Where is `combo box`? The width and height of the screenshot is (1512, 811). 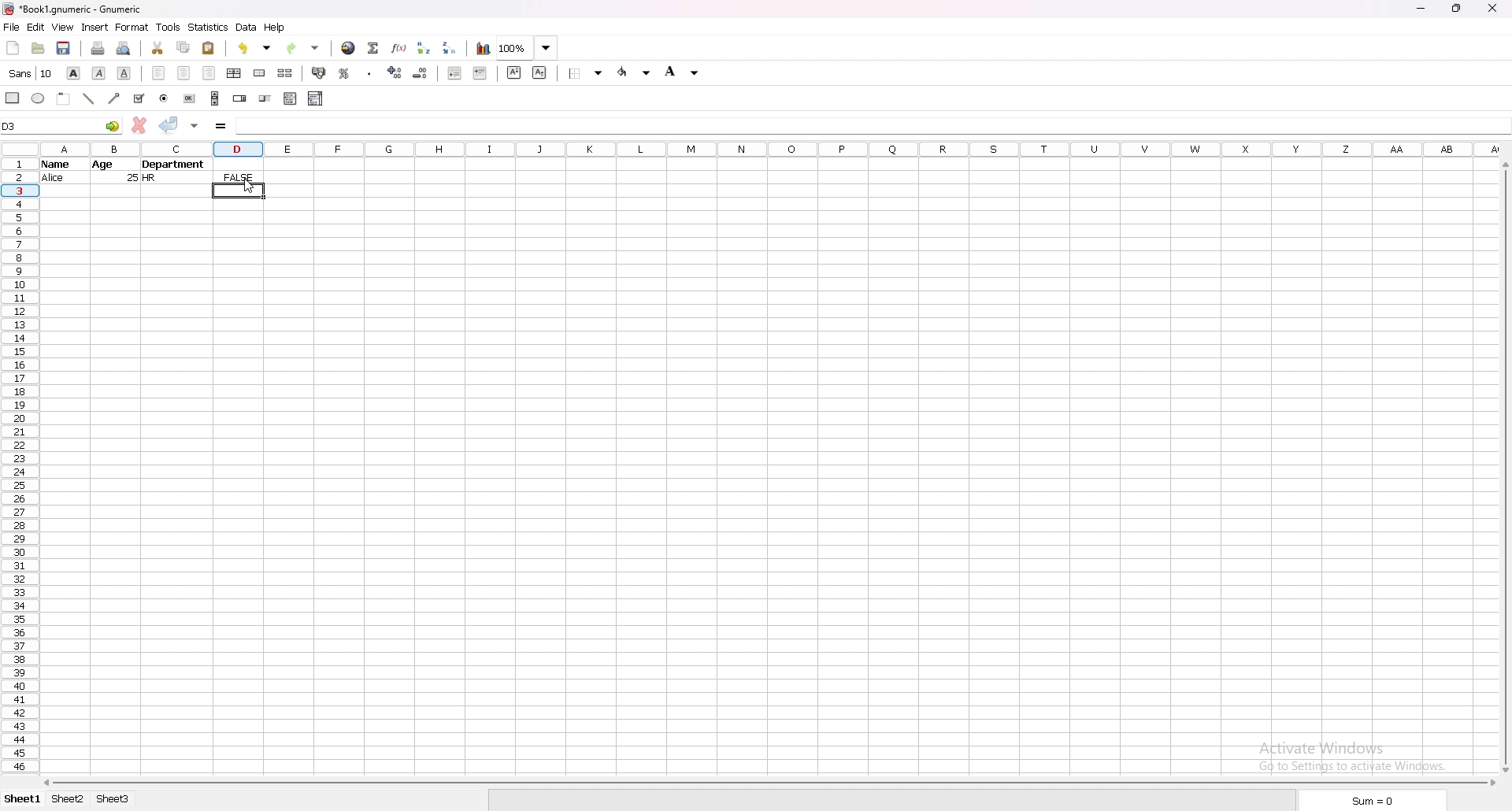 combo box is located at coordinates (316, 98).